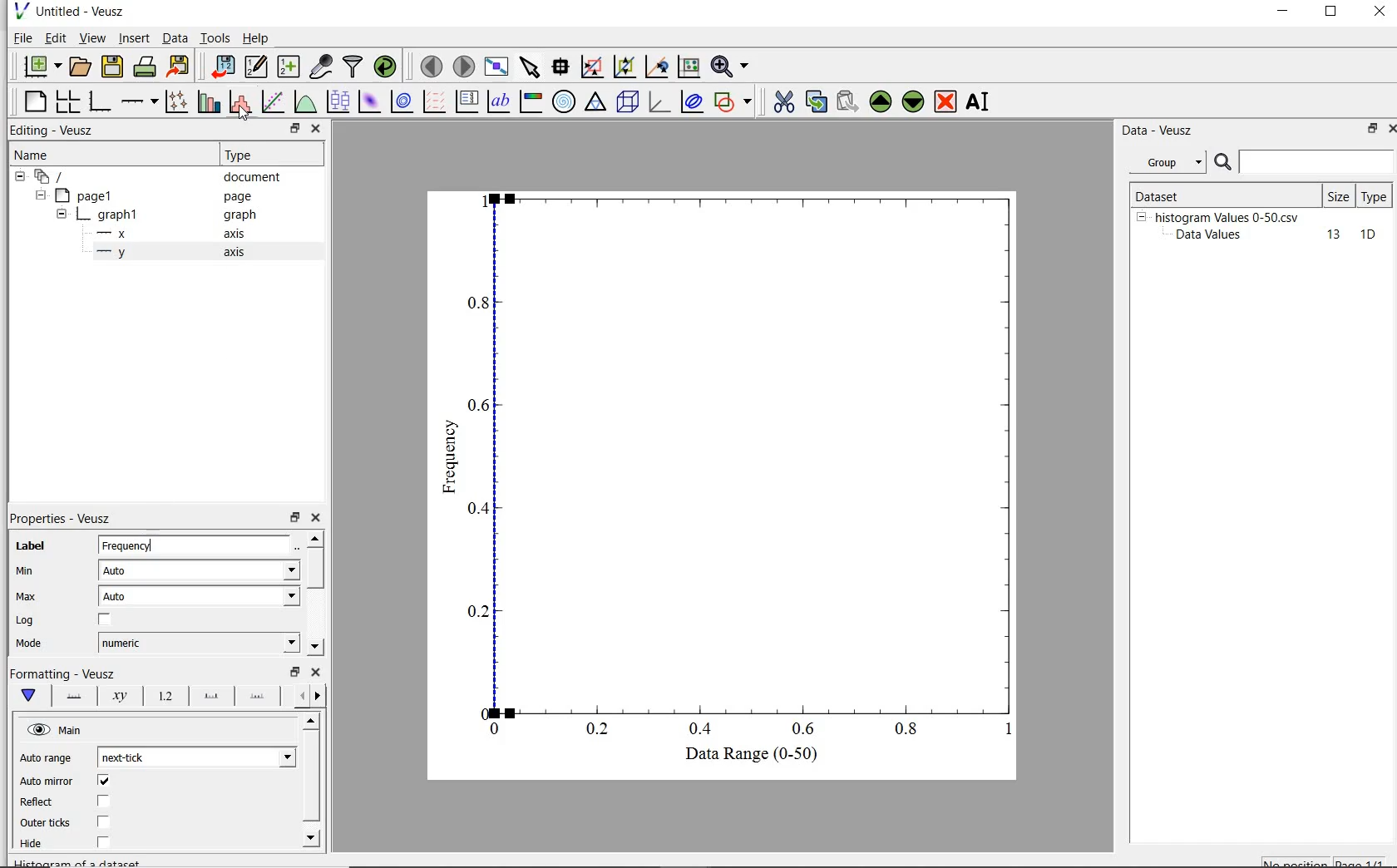 This screenshot has width=1397, height=868. I want to click on hide, so click(57, 730).